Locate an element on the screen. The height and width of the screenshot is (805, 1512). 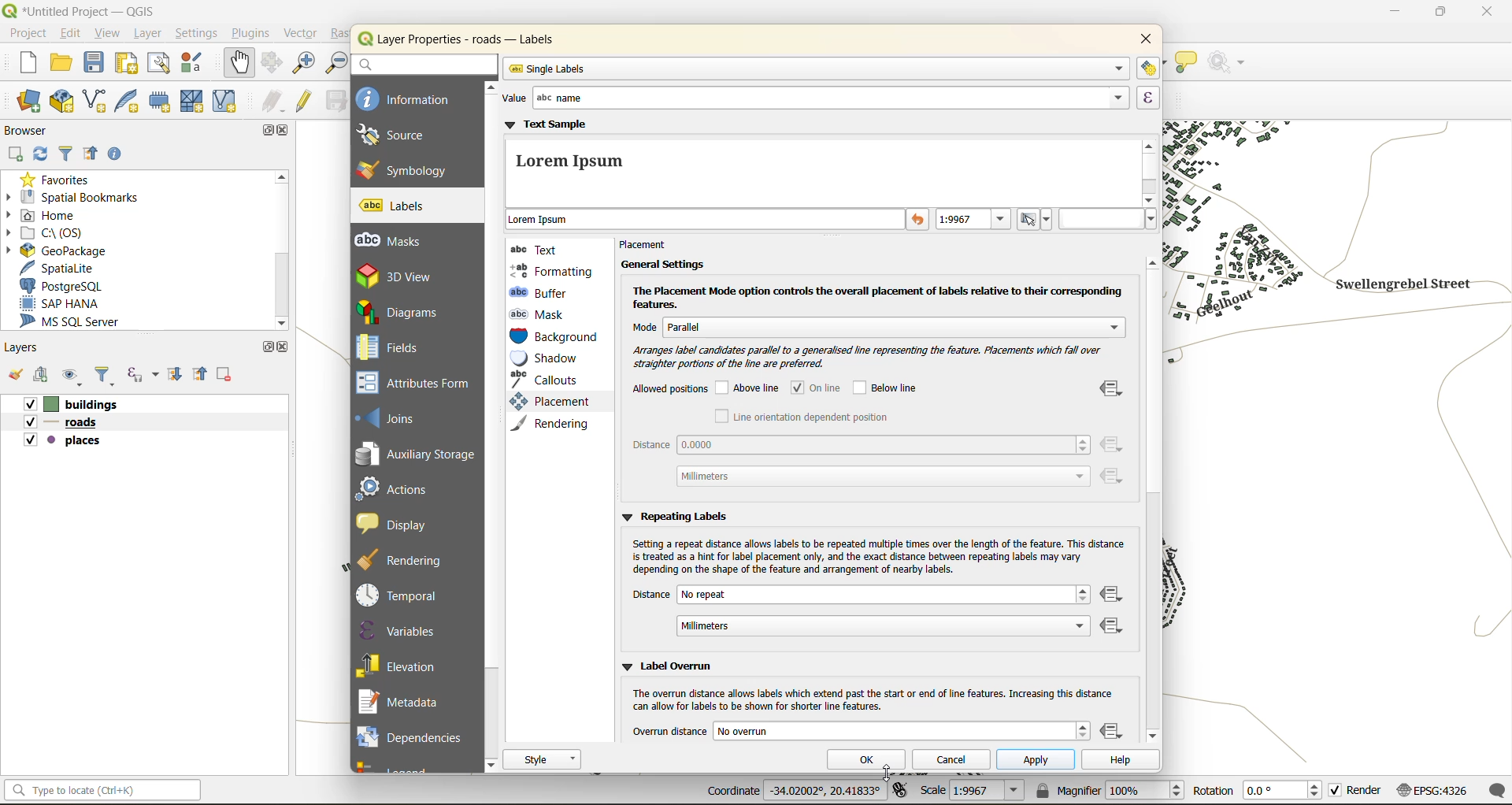
edit is located at coordinates (72, 35).